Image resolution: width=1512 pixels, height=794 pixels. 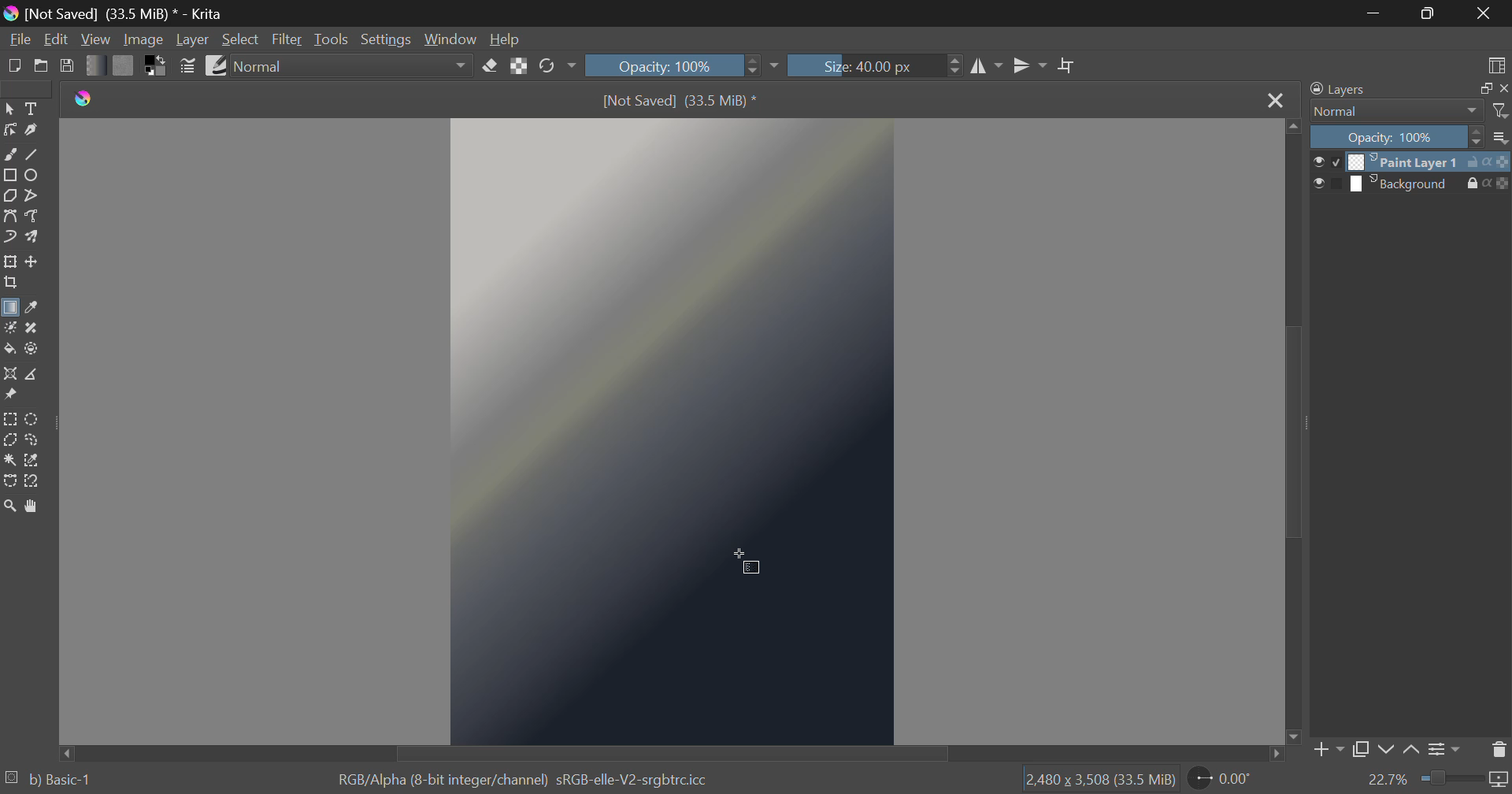 I want to click on Text, so click(x=30, y=107).